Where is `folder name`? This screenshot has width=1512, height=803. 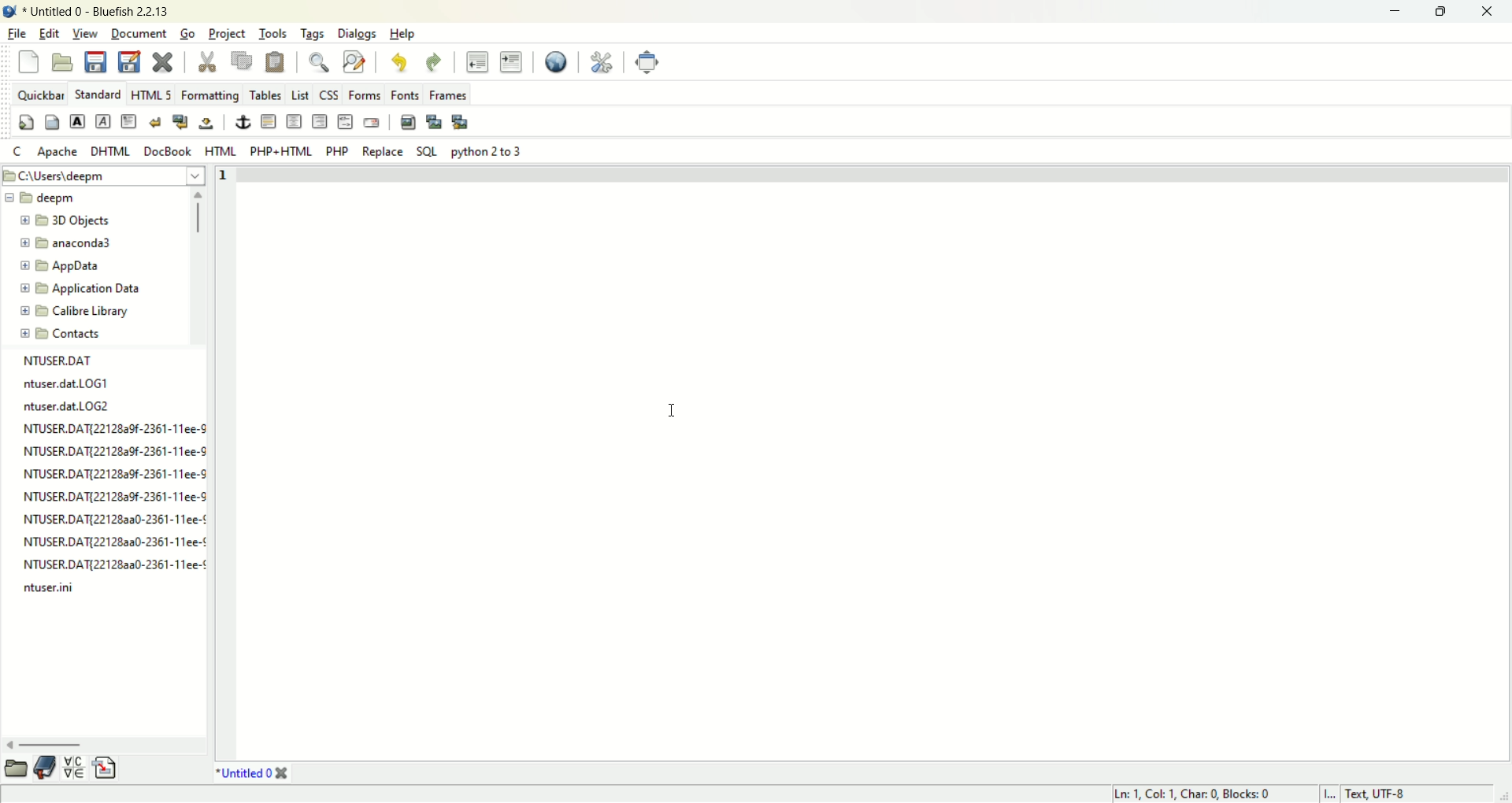
folder name is located at coordinates (72, 335).